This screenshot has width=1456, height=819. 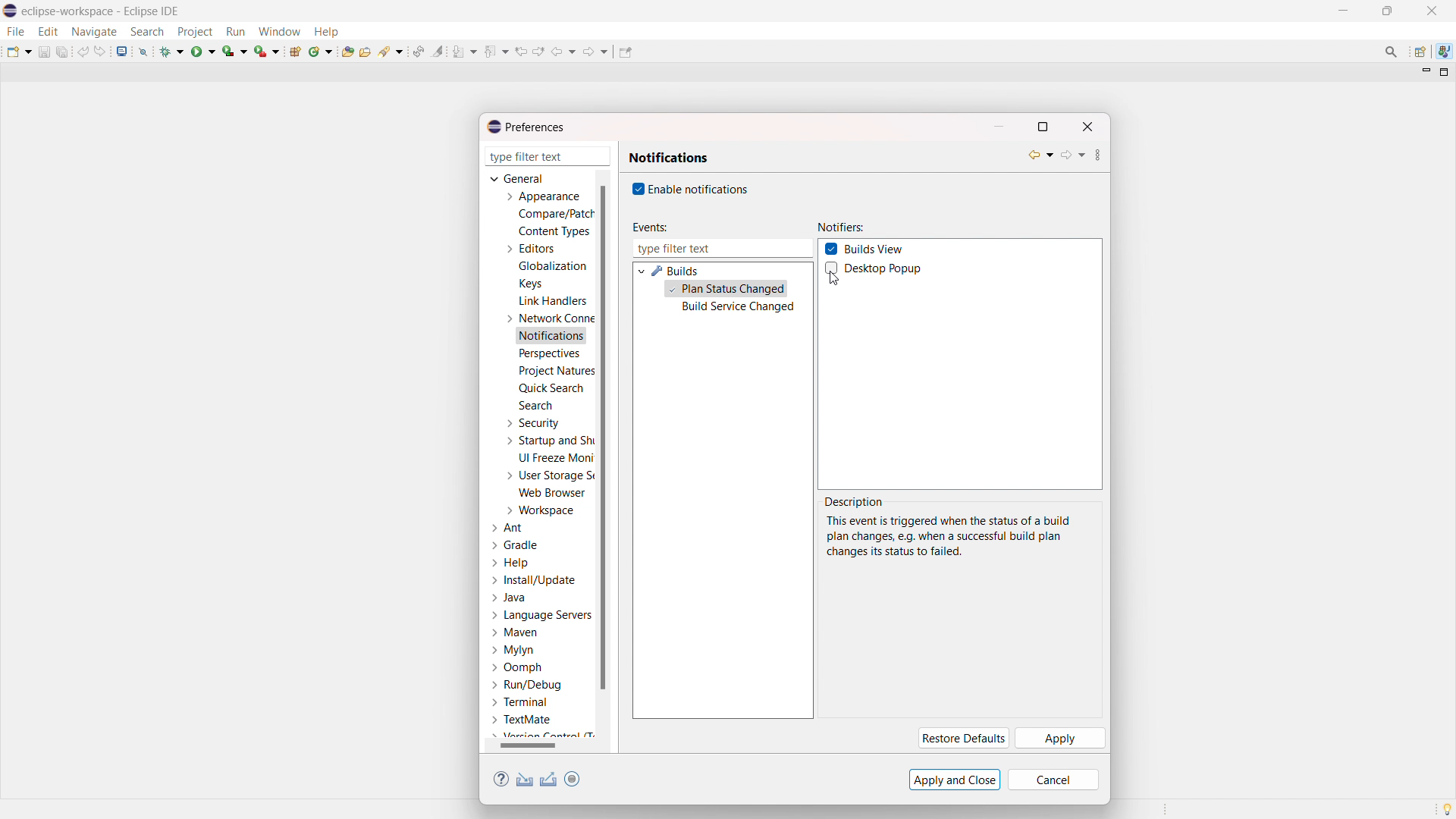 I want to click on help, so click(x=511, y=563).